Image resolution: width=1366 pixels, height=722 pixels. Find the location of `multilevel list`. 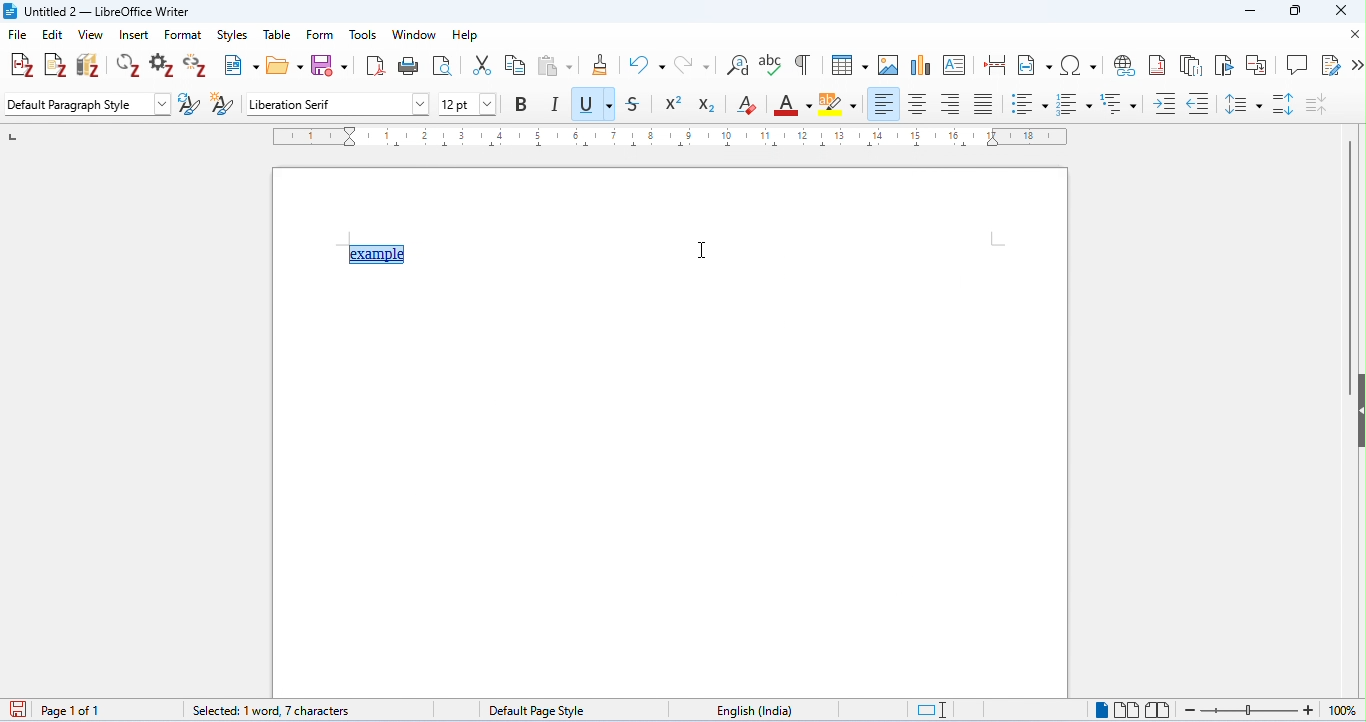

multilevel list is located at coordinates (1121, 105).